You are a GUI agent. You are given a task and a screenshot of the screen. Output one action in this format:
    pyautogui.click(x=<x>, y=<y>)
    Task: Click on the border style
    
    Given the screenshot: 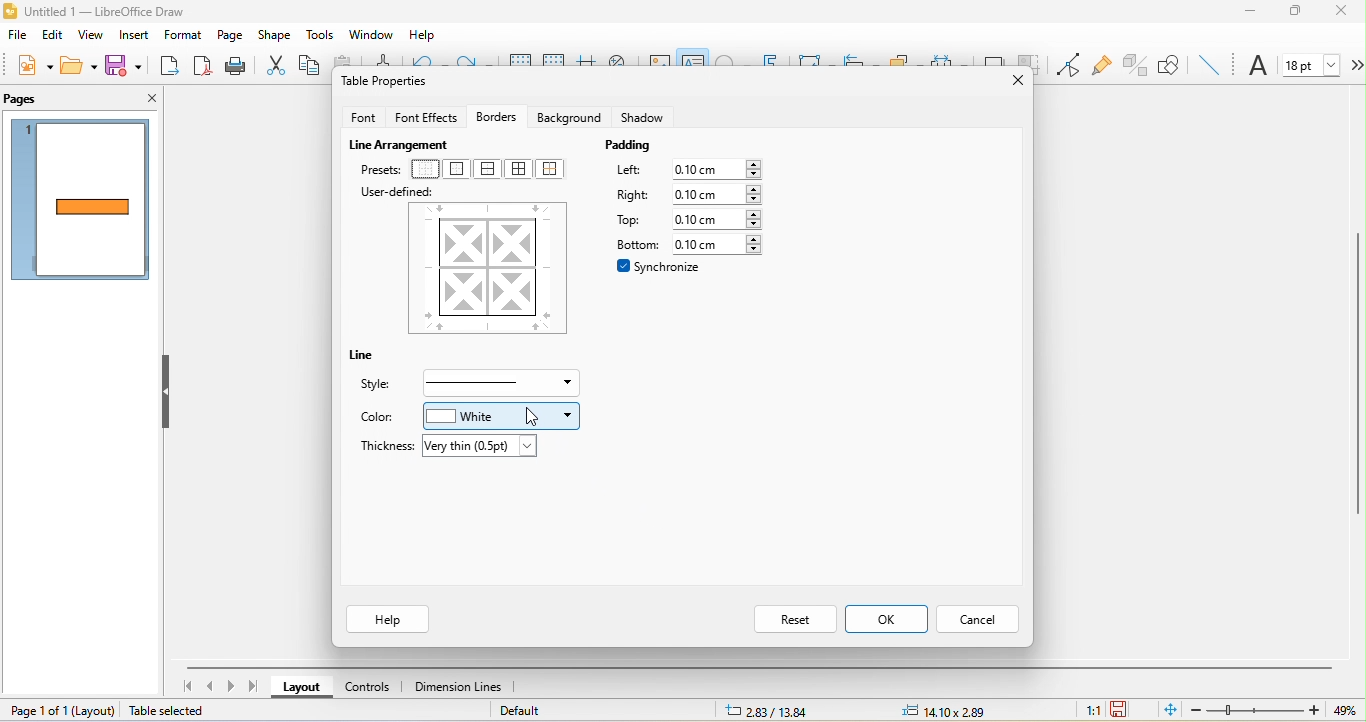 What is the action you would take?
    pyautogui.click(x=493, y=268)
    